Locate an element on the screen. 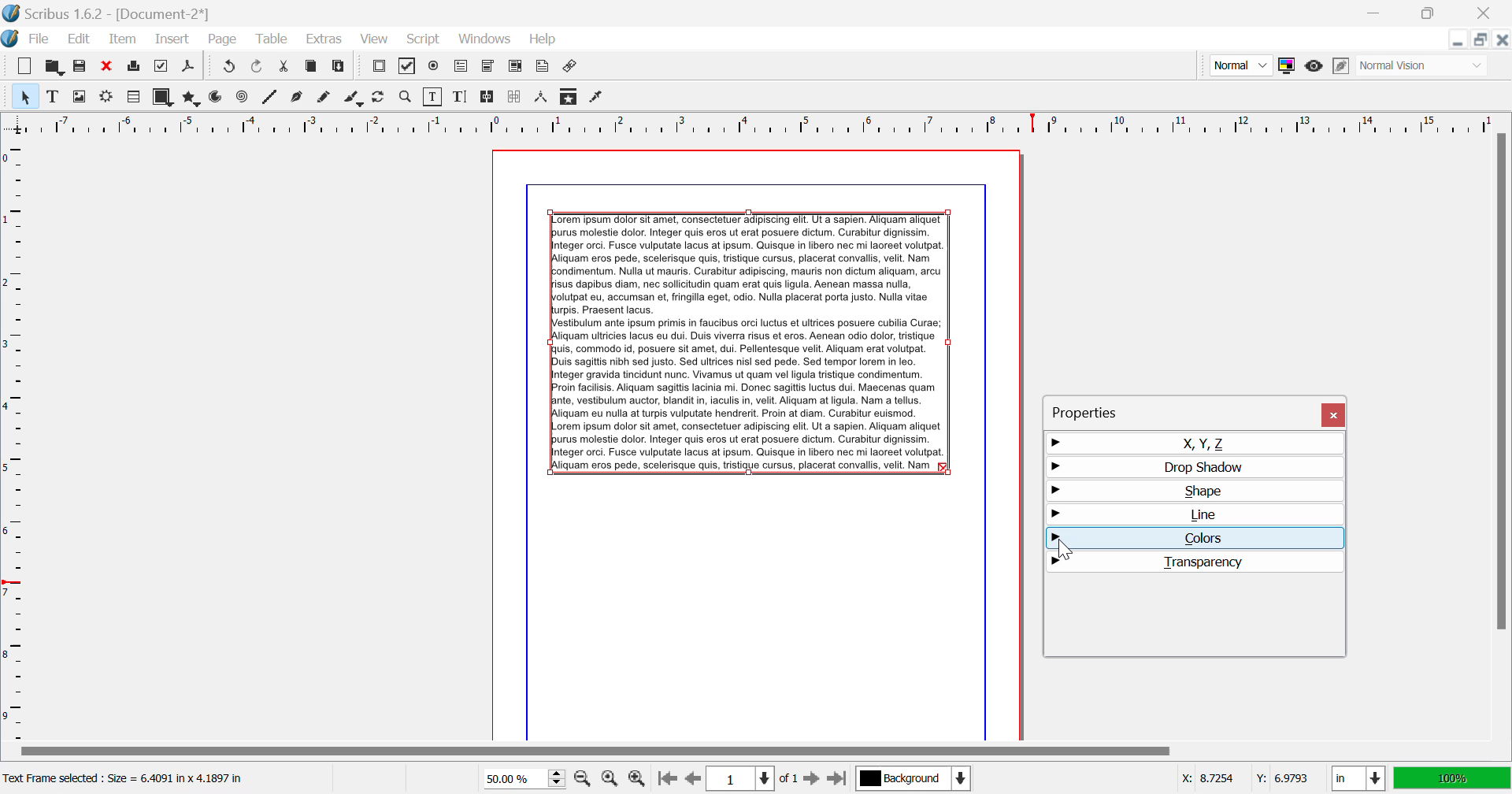 Image resolution: width=1512 pixels, height=794 pixels. Copy Item Properties is located at coordinates (570, 96).